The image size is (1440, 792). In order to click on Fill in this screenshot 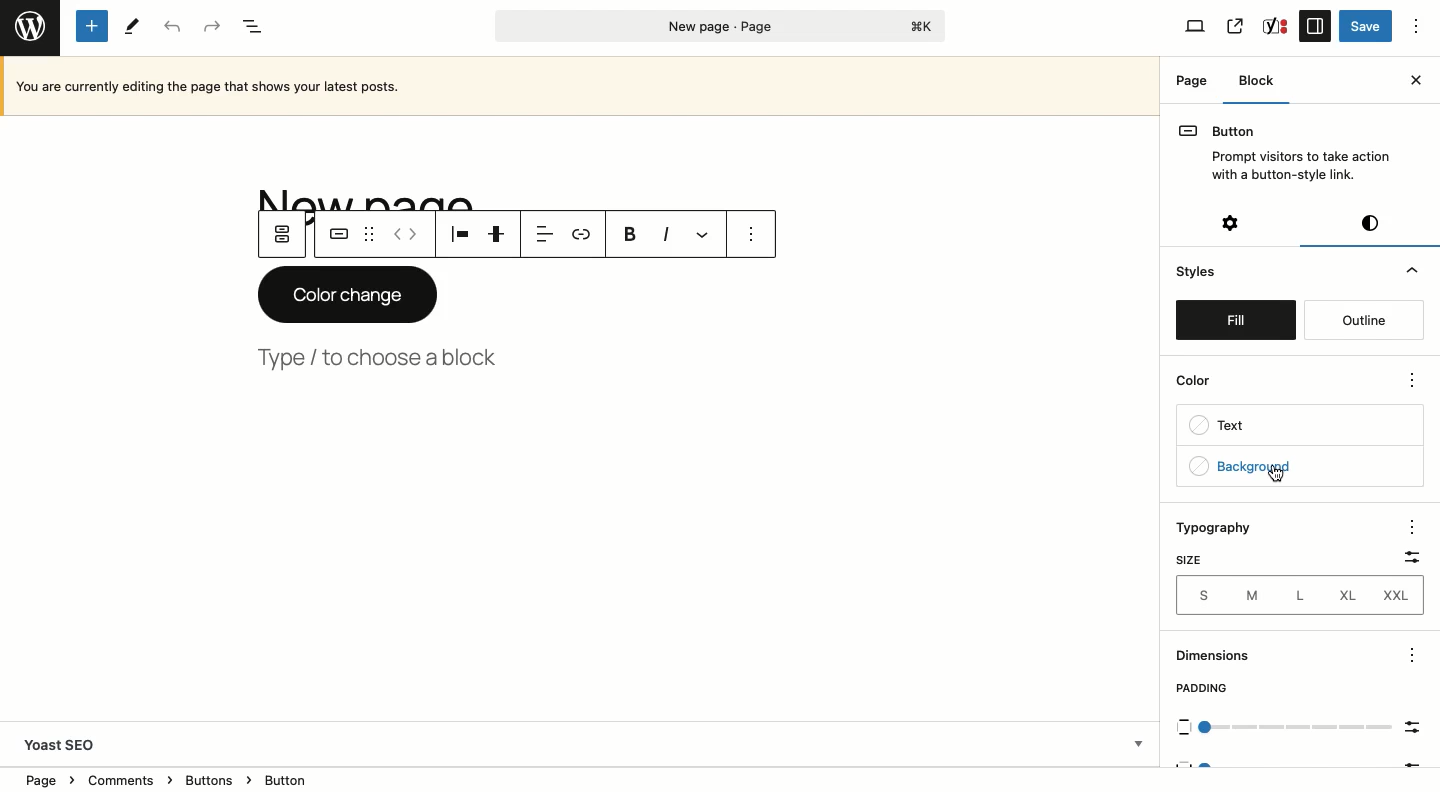, I will do `click(1236, 320)`.